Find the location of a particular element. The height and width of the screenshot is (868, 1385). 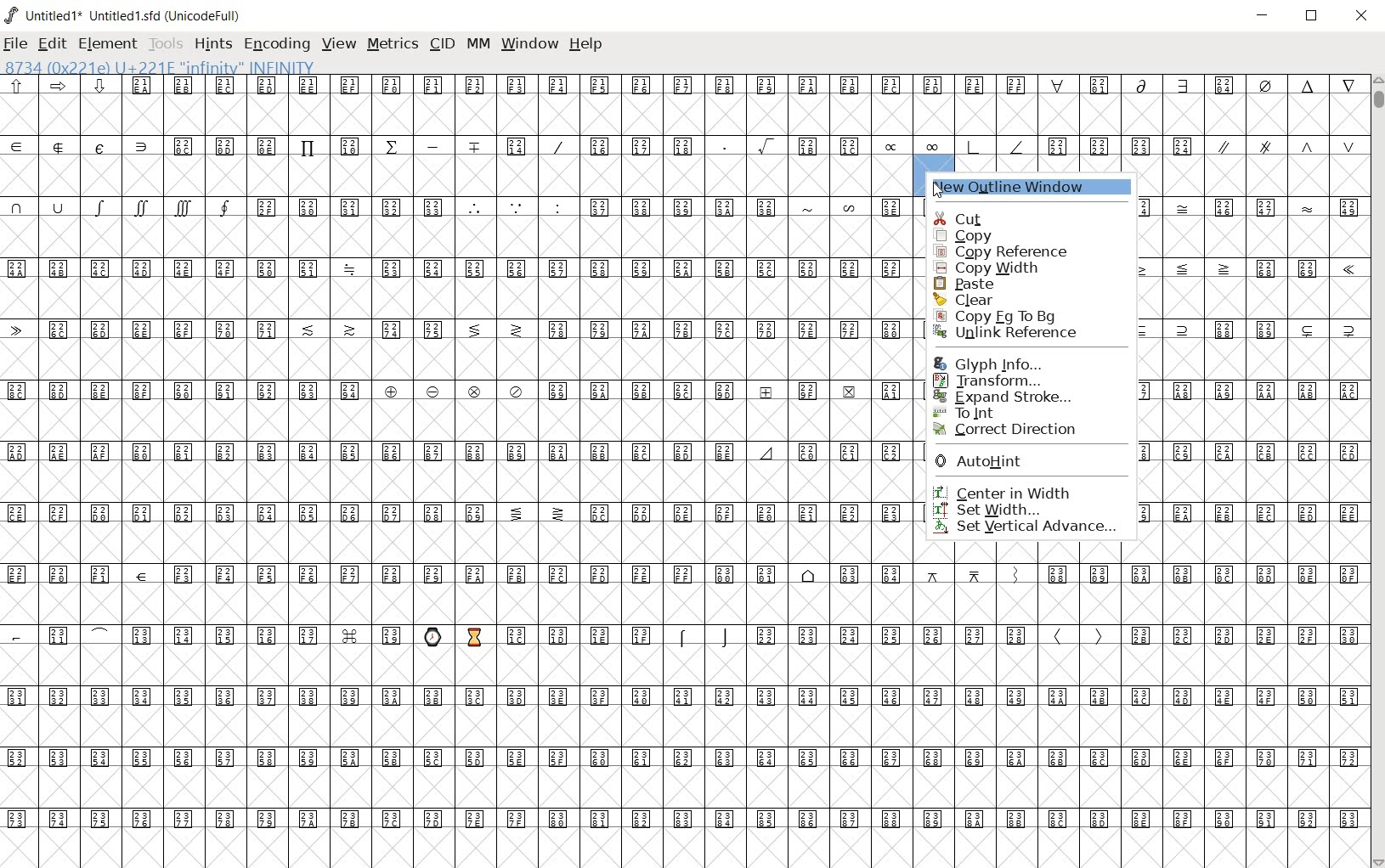

Unlink Reference is located at coordinates (1024, 334).